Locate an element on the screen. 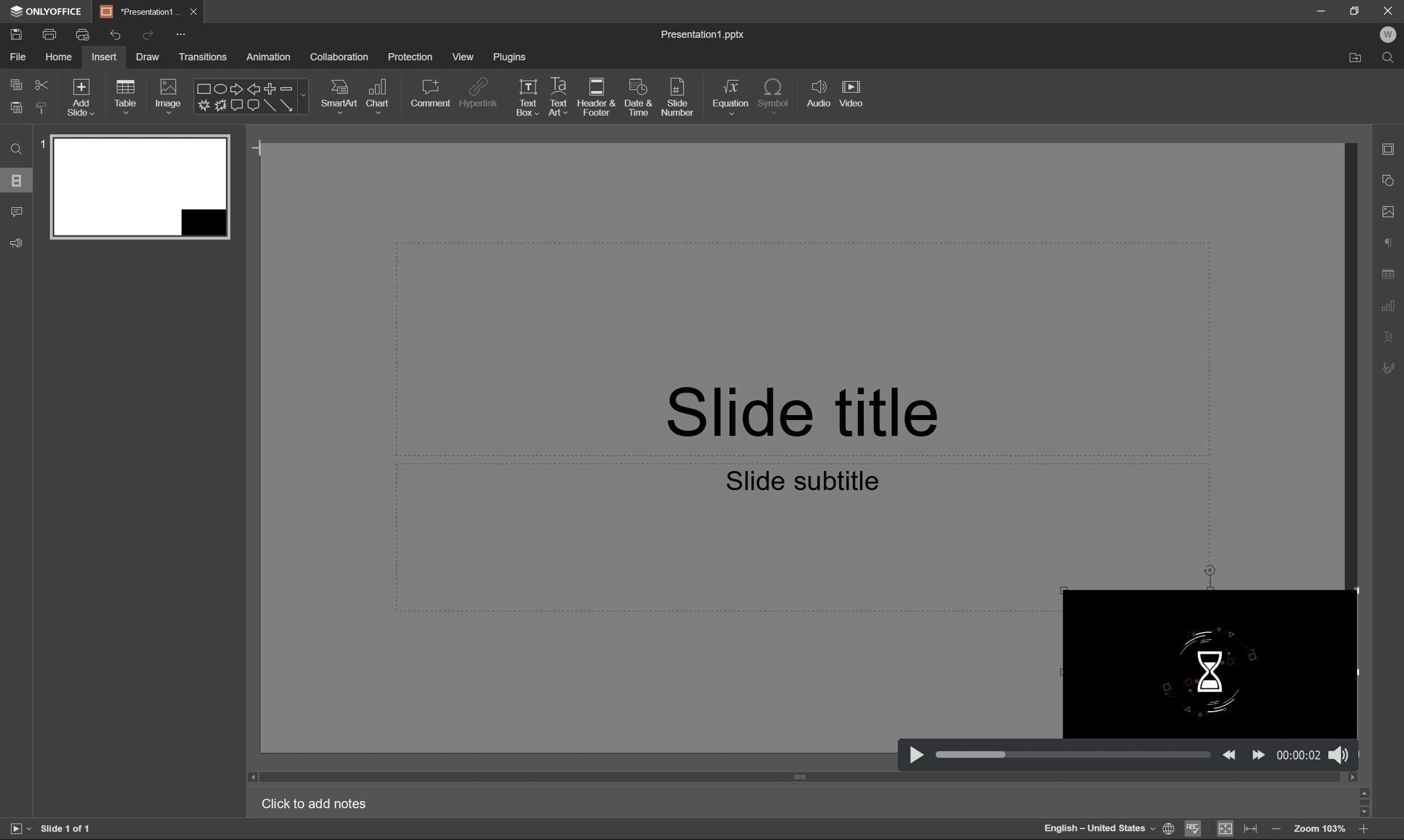 The width and height of the screenshot is (1404, 840). table is located at coordinates (129, 97).